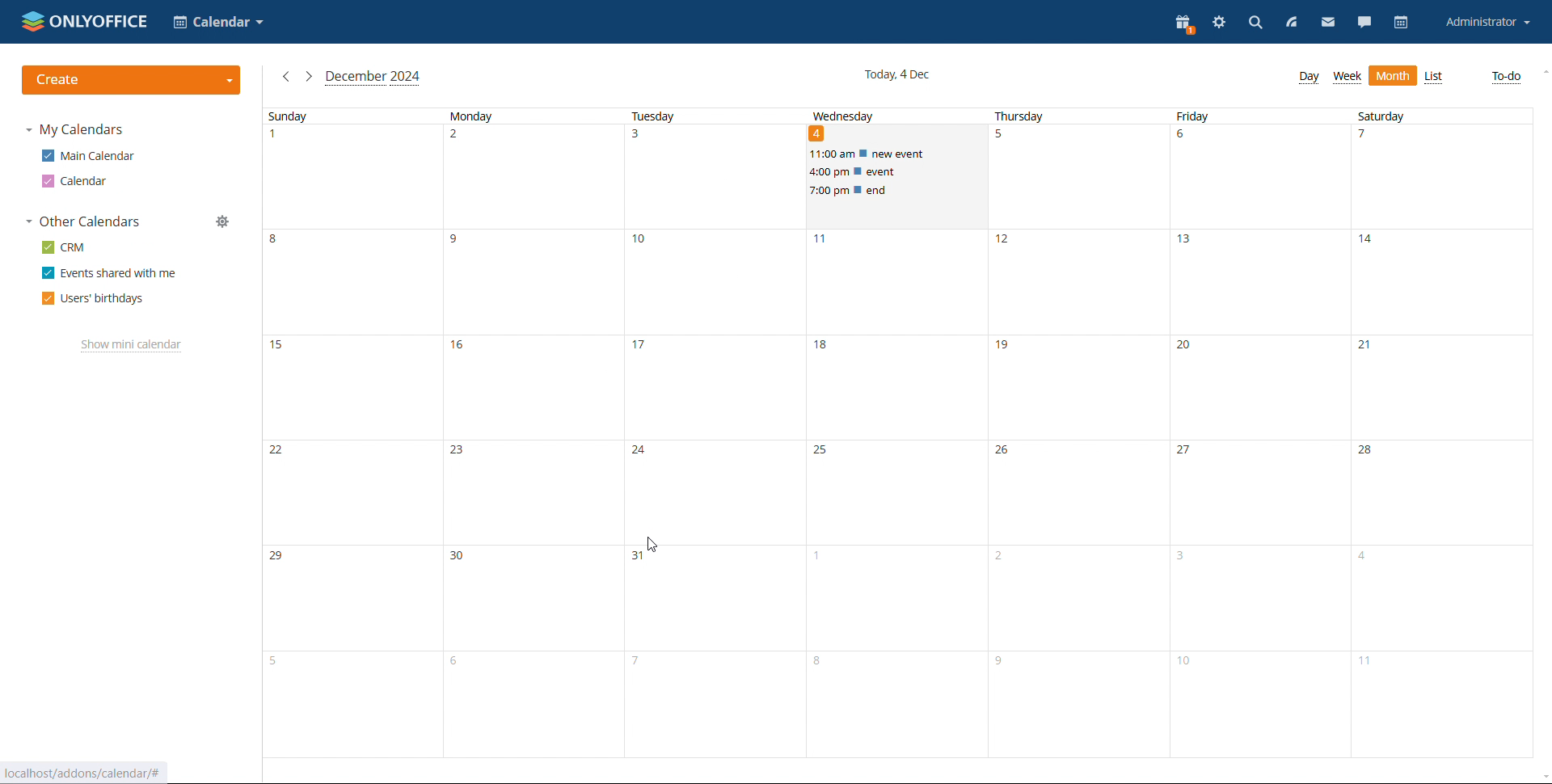  I want to click on feed, so click(1293, 24).